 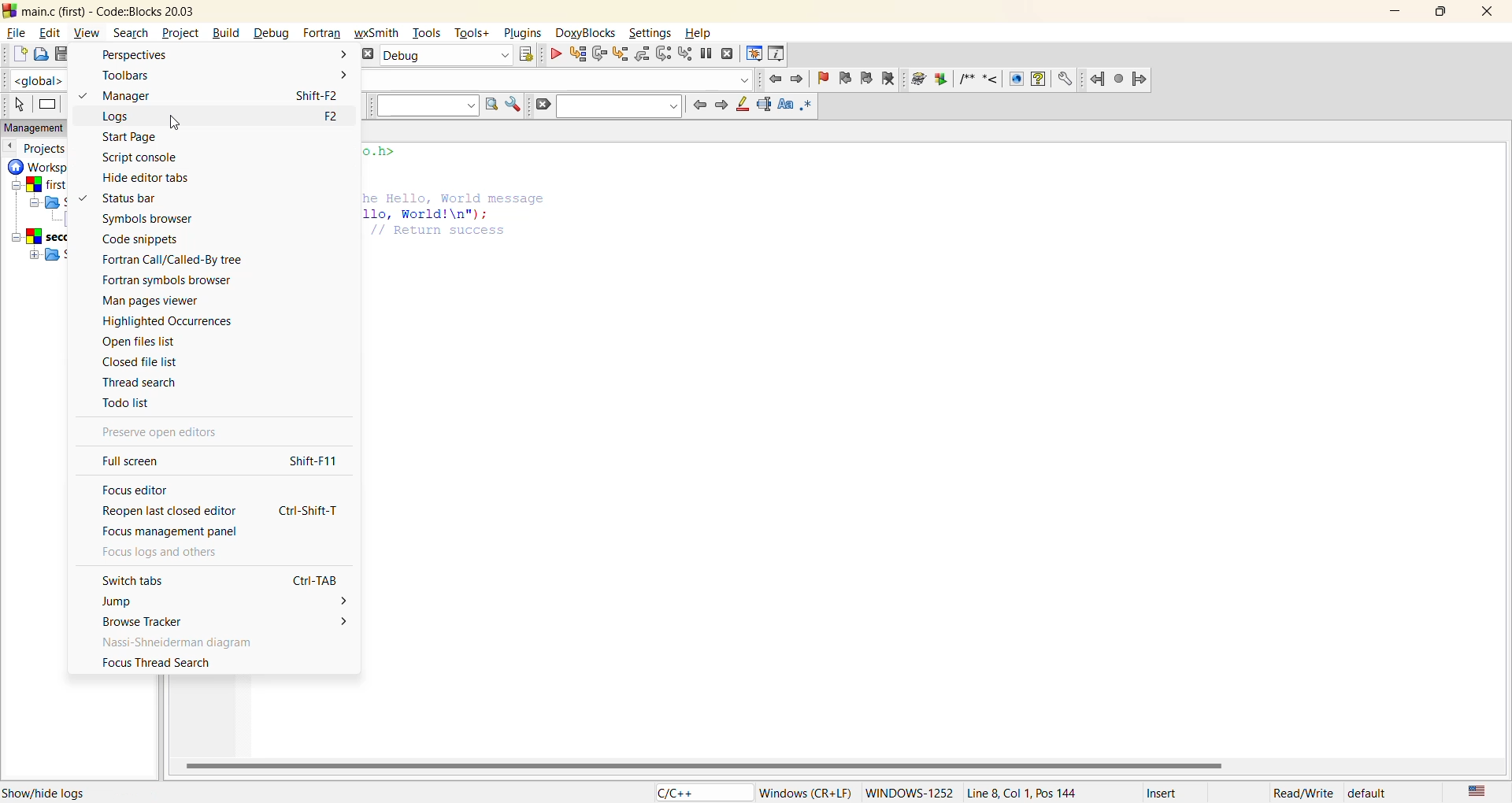 I want to click on text to search, so click(x=428, y=105).